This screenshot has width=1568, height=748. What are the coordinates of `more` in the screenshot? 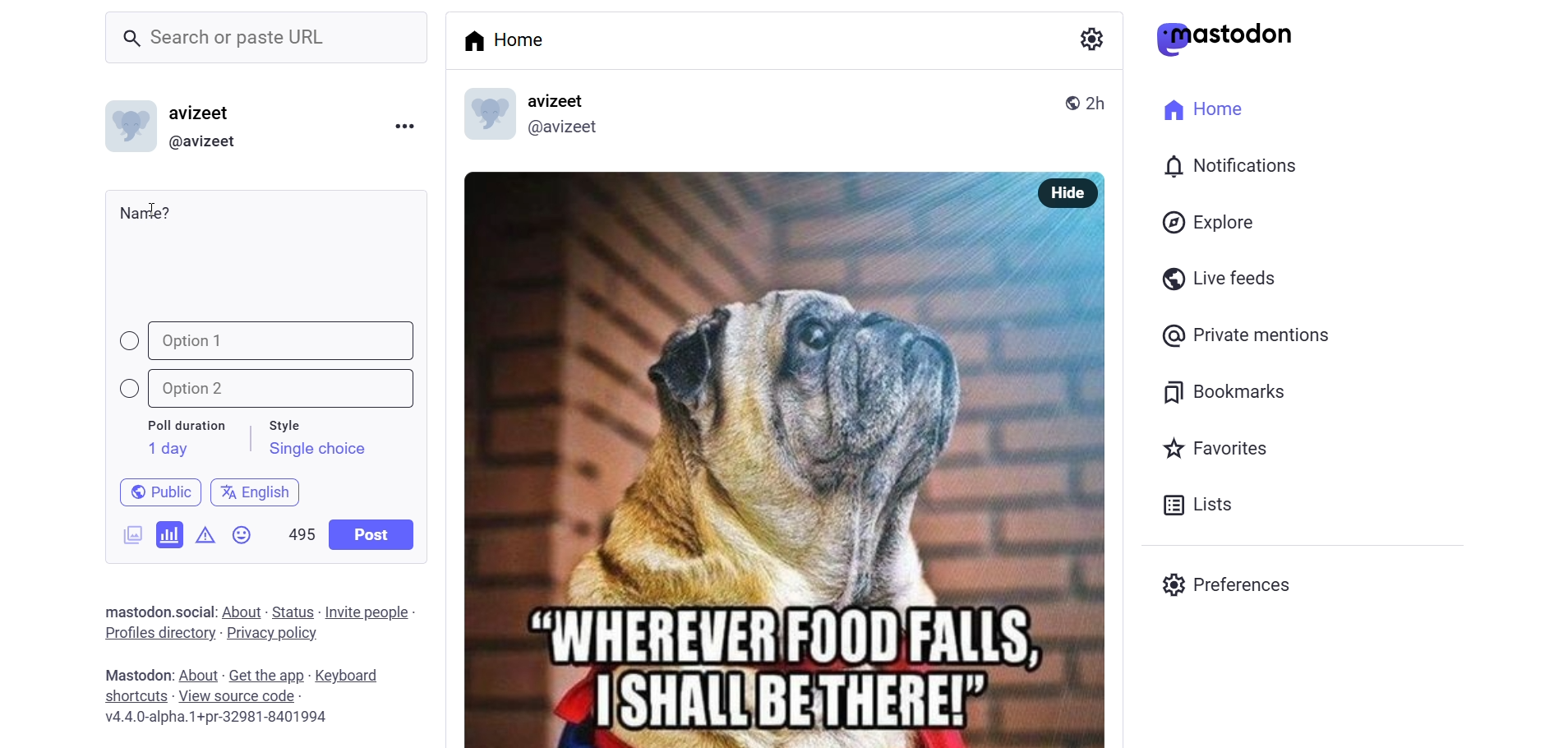 It's located at (404, 124).